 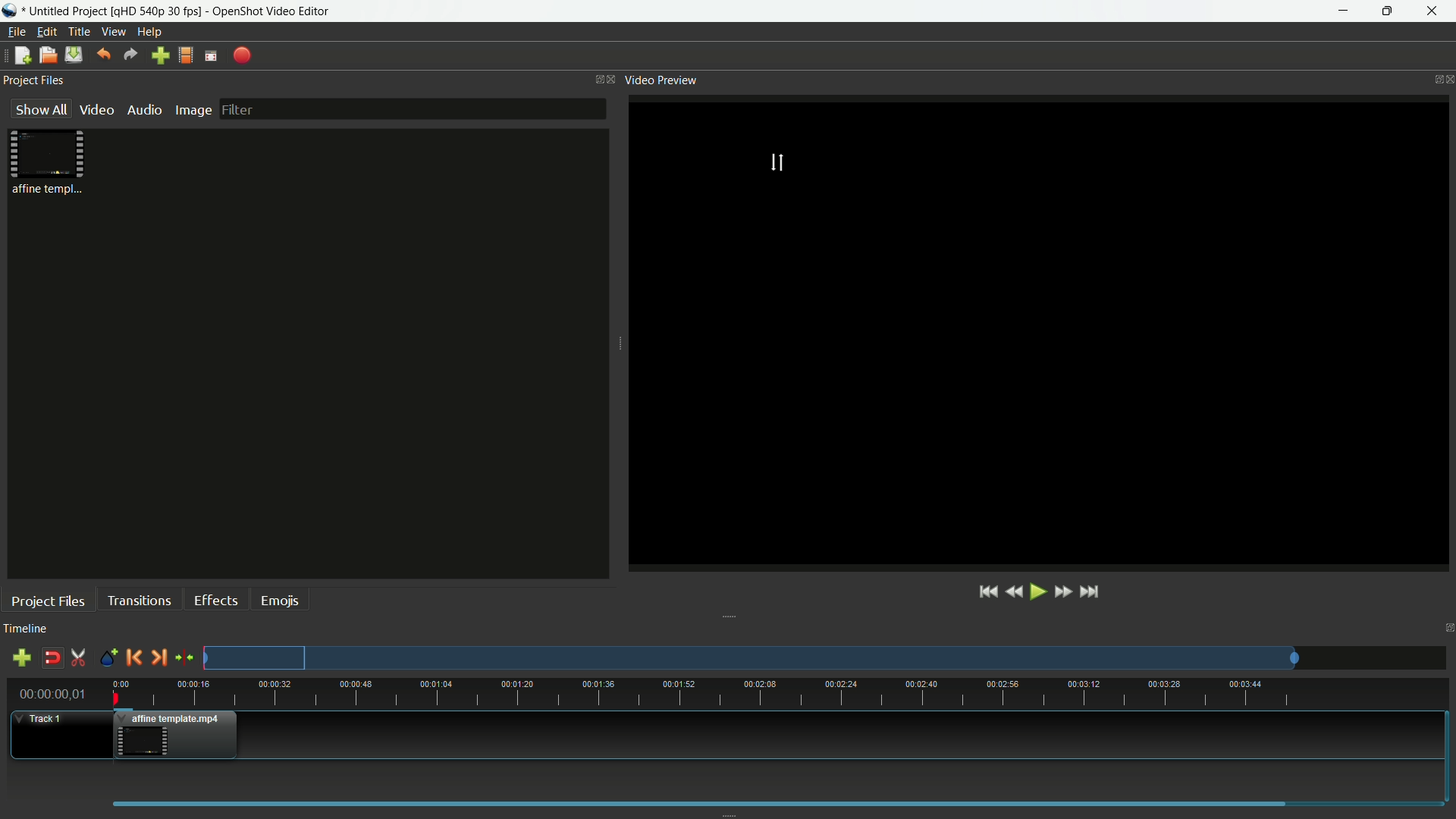 I want to click on view menu, so click(x=115, y=31).